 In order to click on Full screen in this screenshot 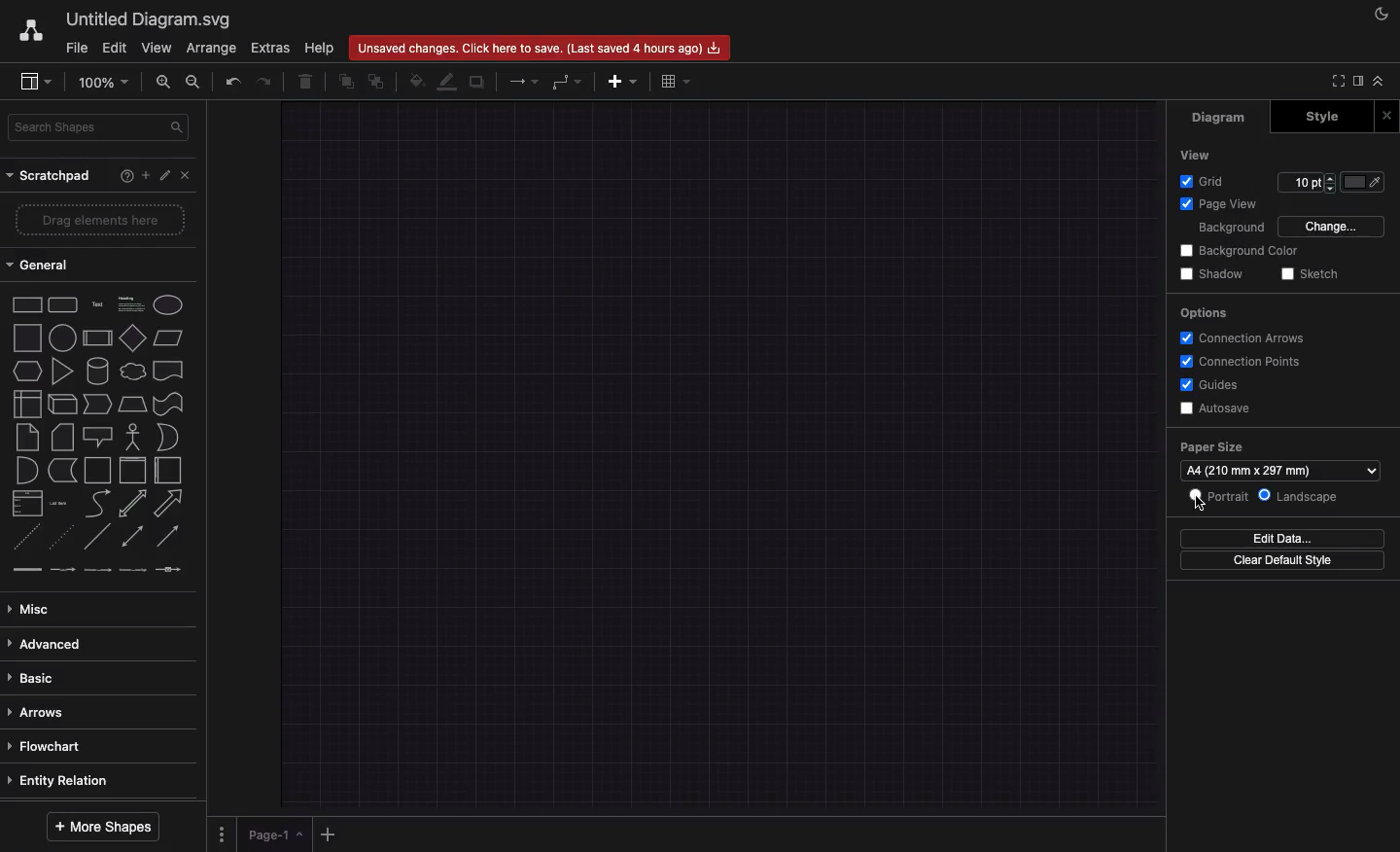, I will do `click(1341, 81)`.